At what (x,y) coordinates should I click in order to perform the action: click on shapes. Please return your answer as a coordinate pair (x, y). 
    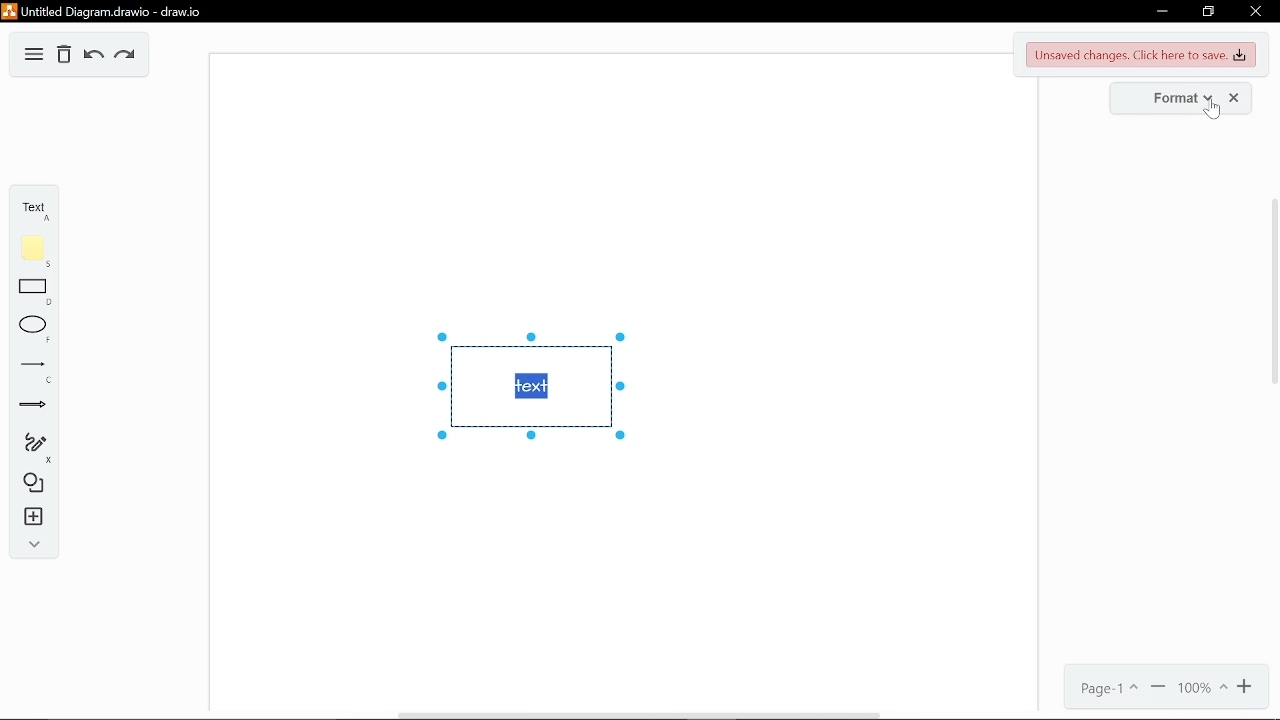
    Looking at the image, I should click on (29, 484).